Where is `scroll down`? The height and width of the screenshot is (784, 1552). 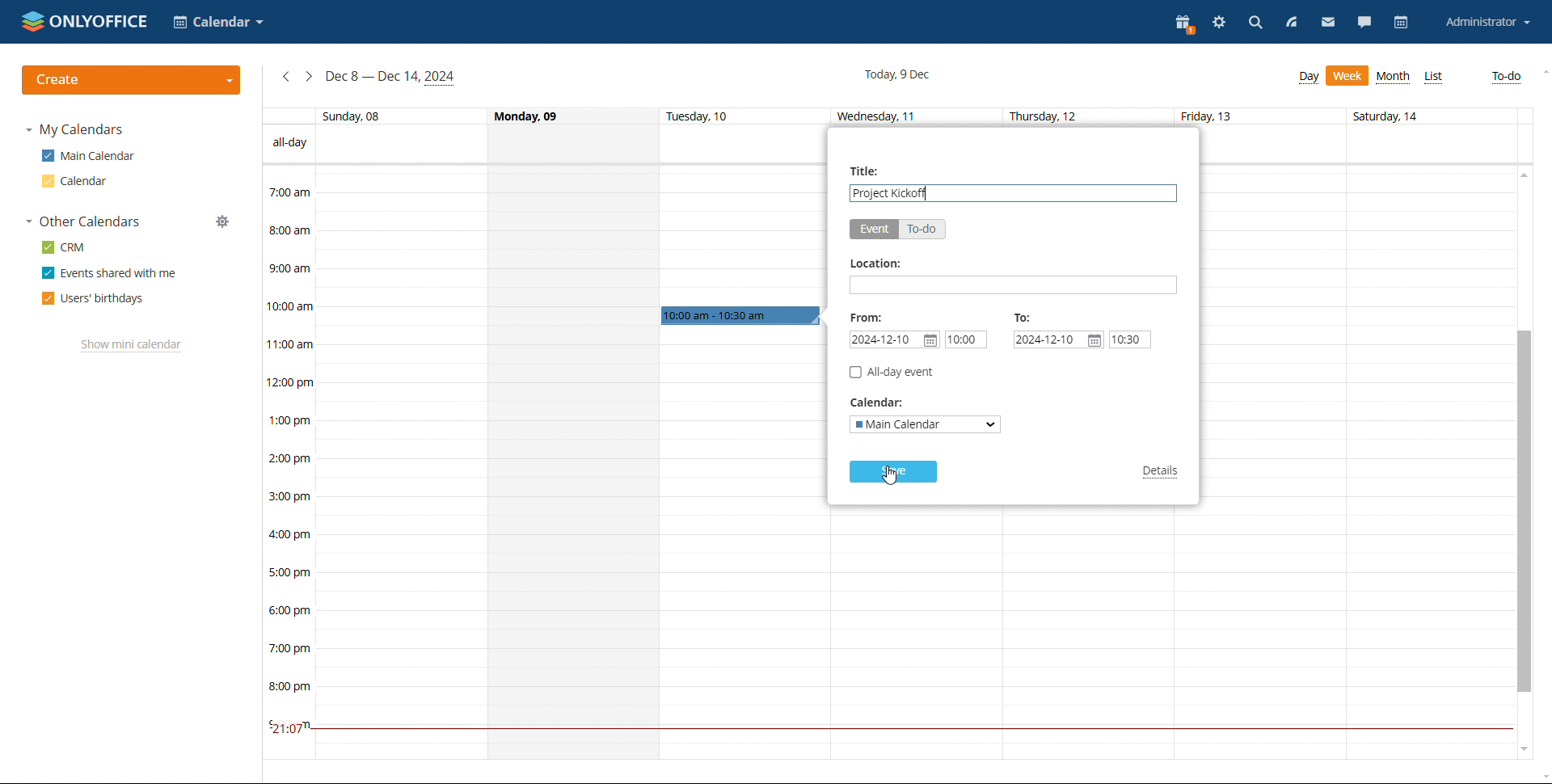
scroll down is located at coordinates (1521, 752).